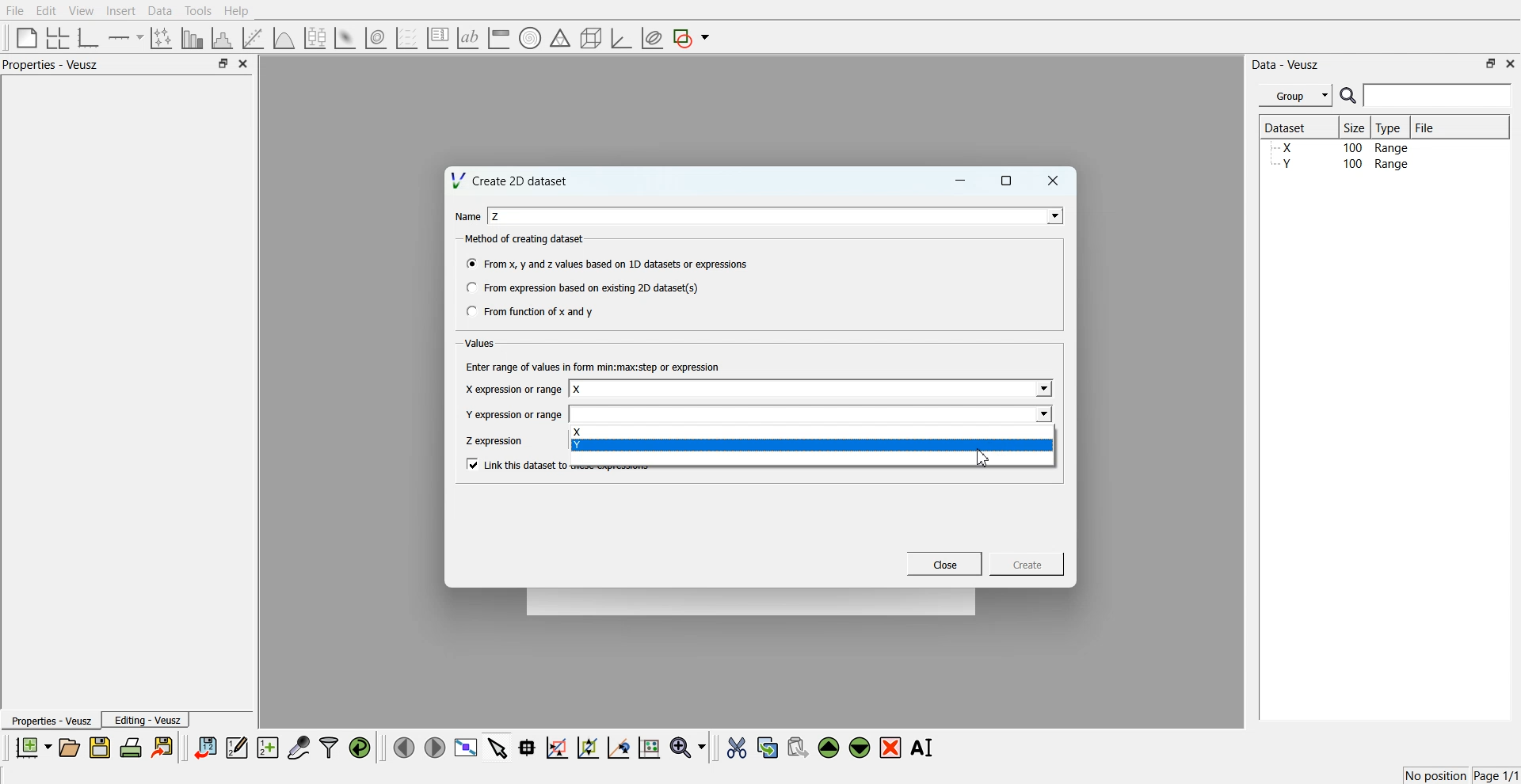 Image resolution: width=1521 pixels, height=784 pixels. Describe the element at coordinates (578, 390) in the screenshot. I see `X` at that location.